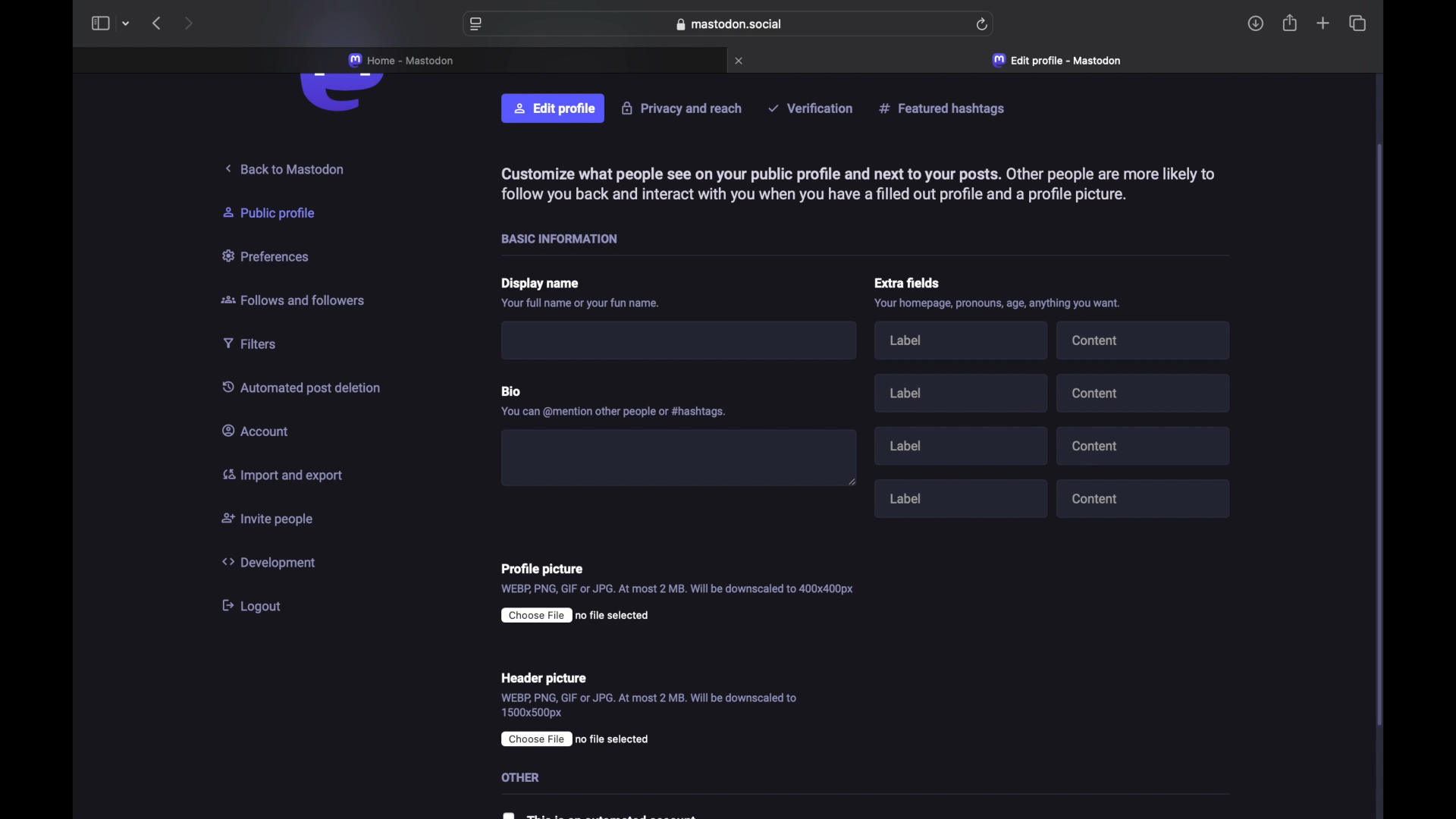 This screenshot has height=819, width=1456. Describe the element at coordinates (534, 738) in the screenshot. I see `choose file` at that location.